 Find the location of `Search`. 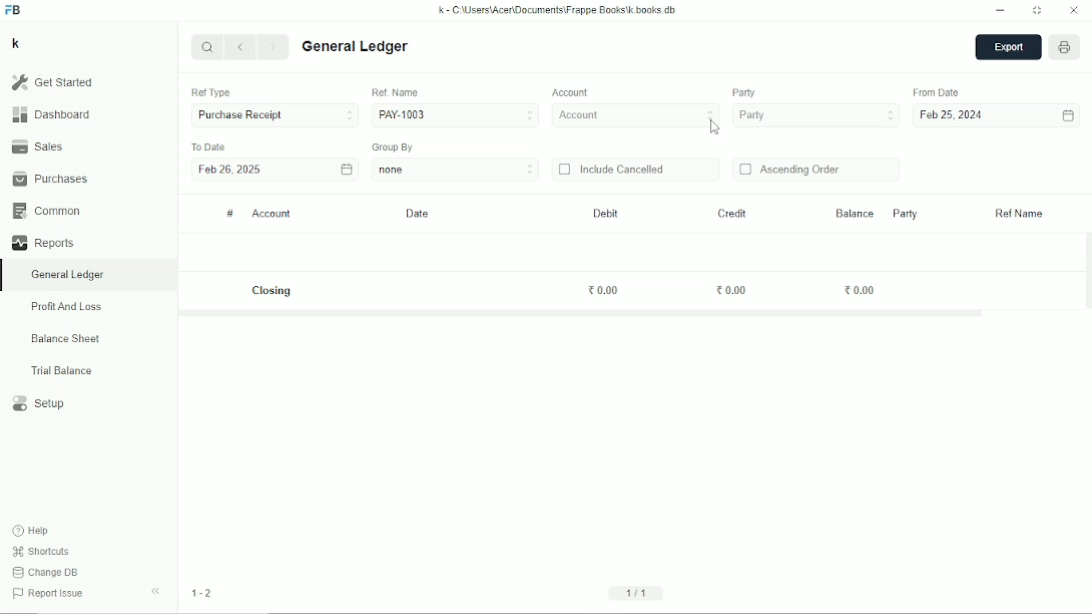

Search is located at coordinates (207, 46).